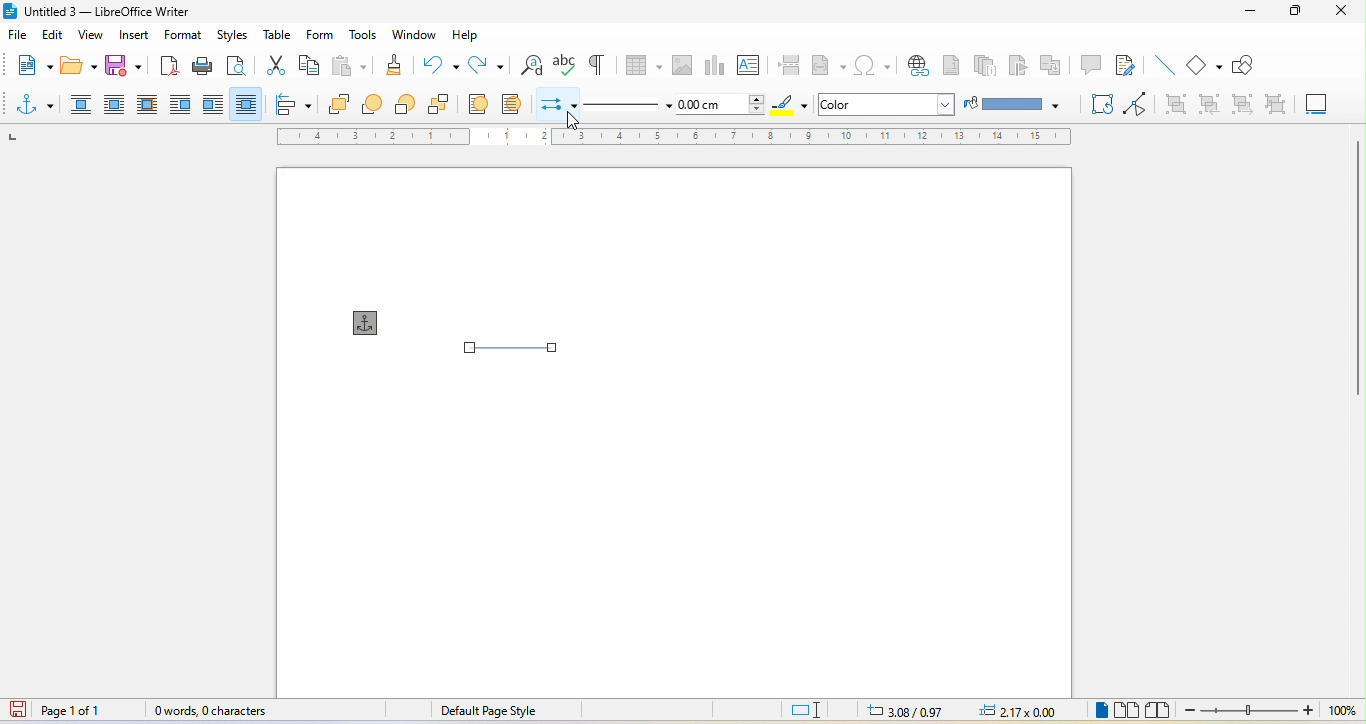 The width and height of the screenshot is (1366, 724). I want to click on page break, so click(788, 65).